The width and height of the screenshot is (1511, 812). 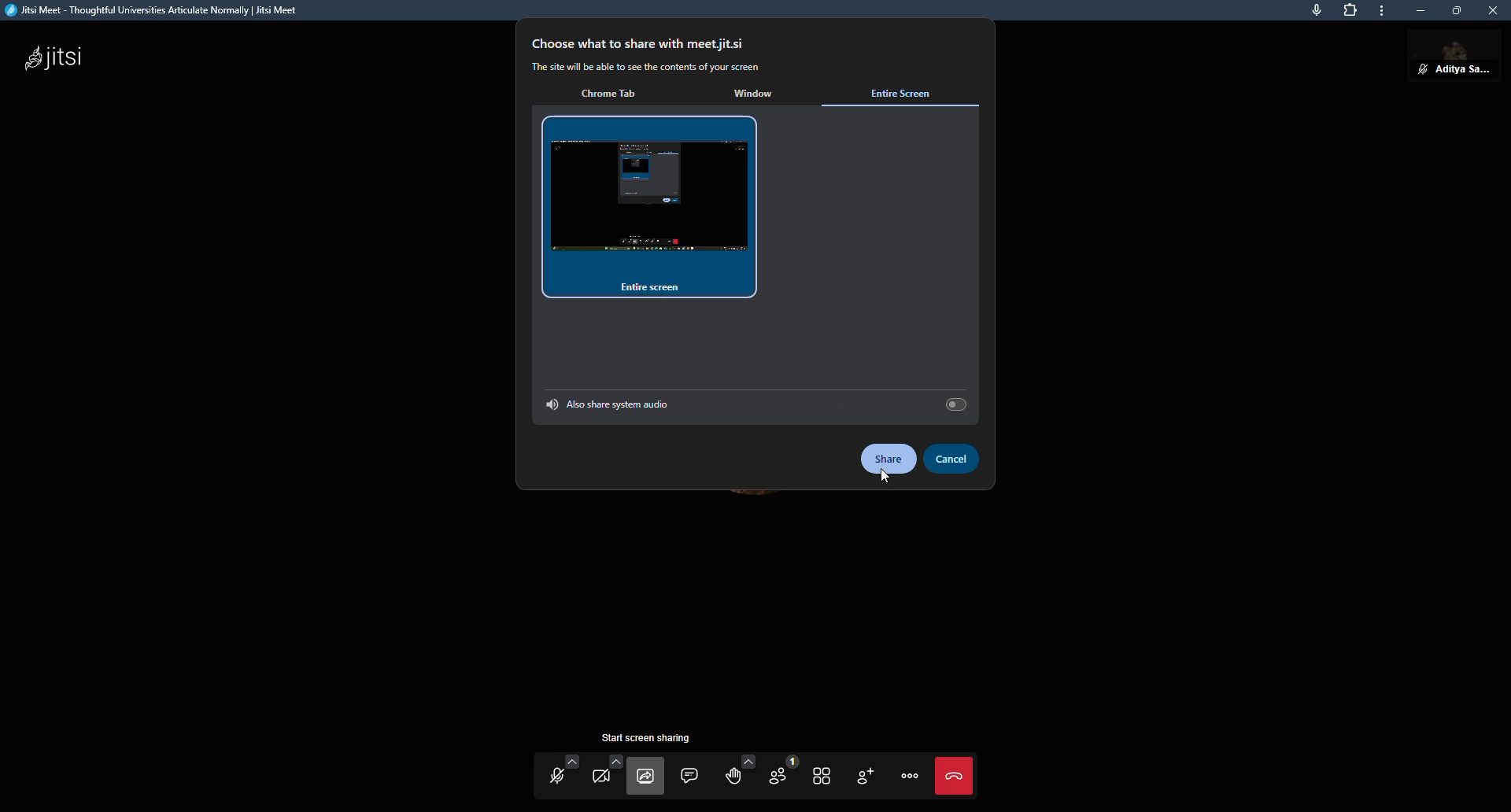 What do you see at coordinates (167, 11) in the screenshot?
I see `Jitsi Meet - Thoughtful Universities Articulate Normally | Jitsi Meet` at bounding box center [167, 11].